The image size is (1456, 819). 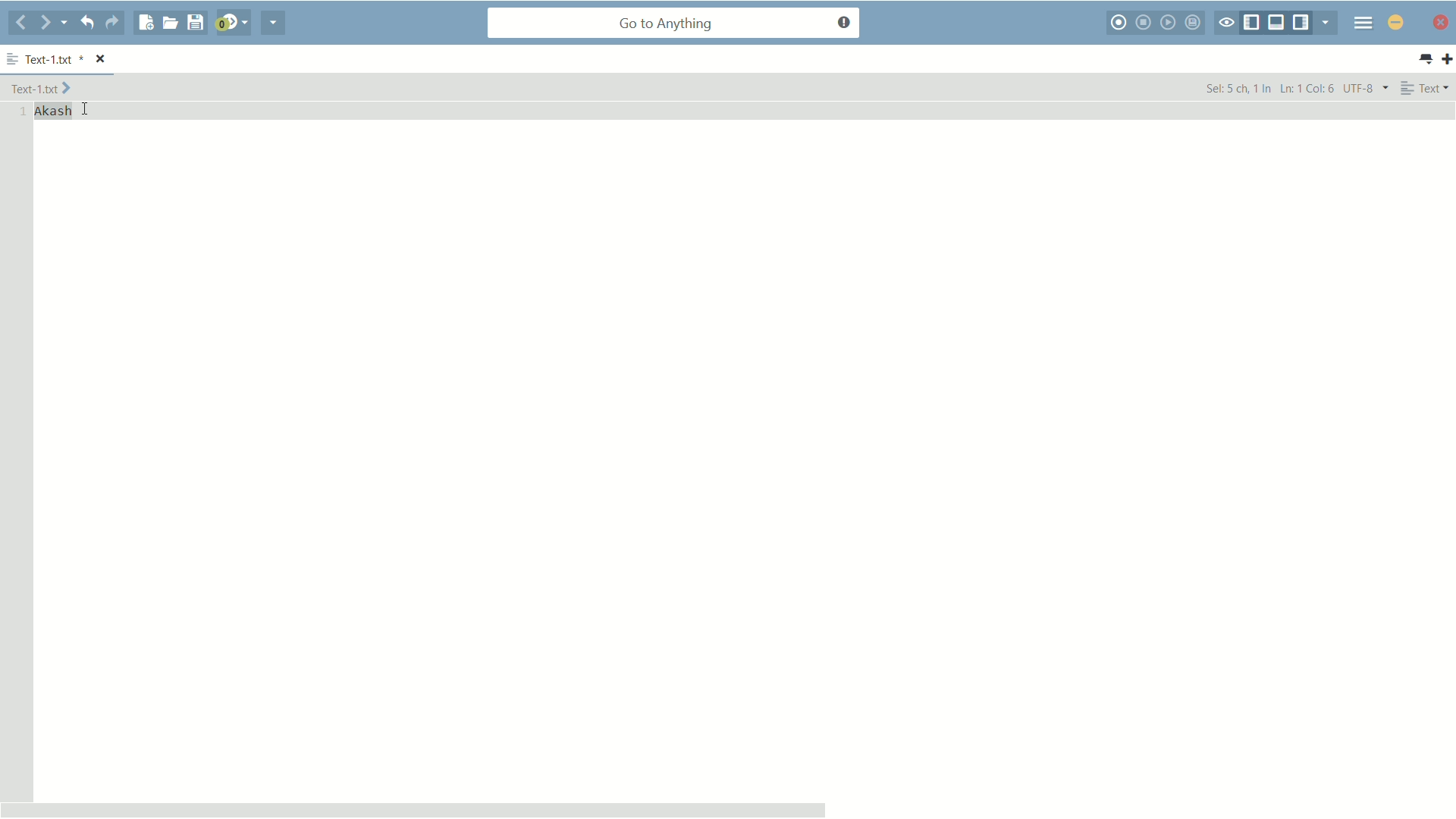 What do you see at coordinates (13, 60) in the screenshot?
I see `more options` at bounding box center [13, 60].